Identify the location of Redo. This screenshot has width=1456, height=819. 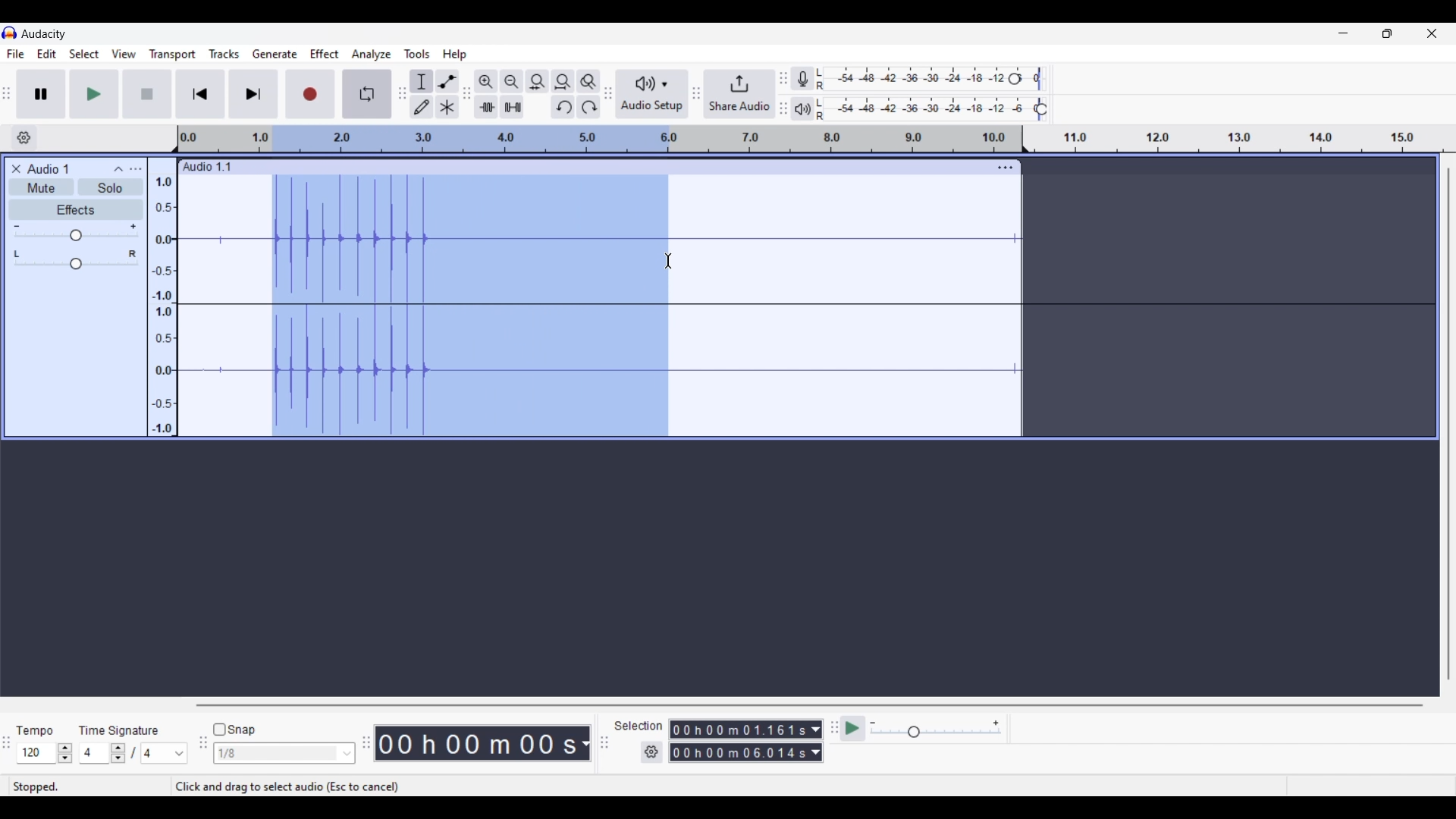
(588, 107).